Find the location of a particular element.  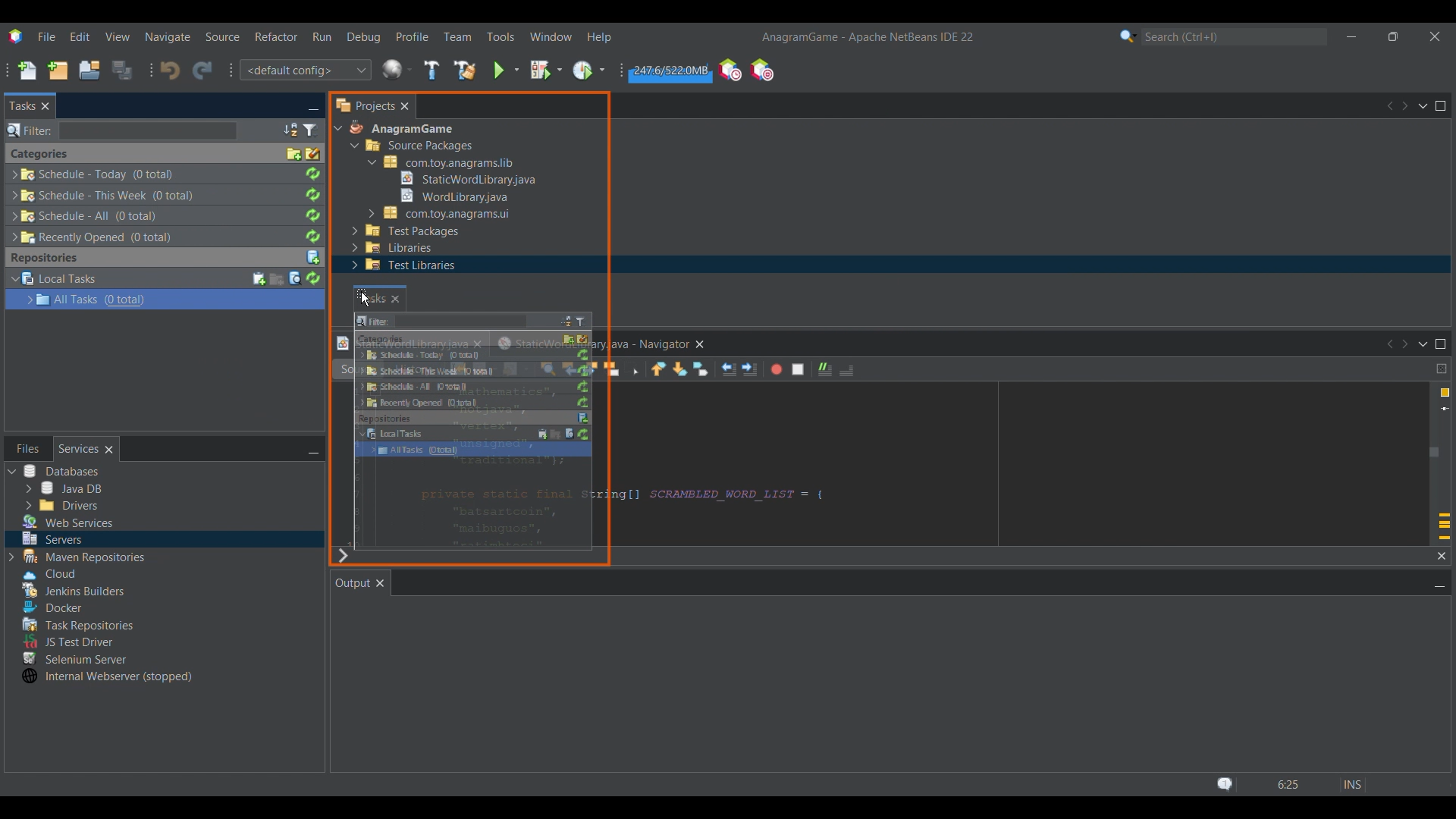

 is located at coordinates (83, 557).